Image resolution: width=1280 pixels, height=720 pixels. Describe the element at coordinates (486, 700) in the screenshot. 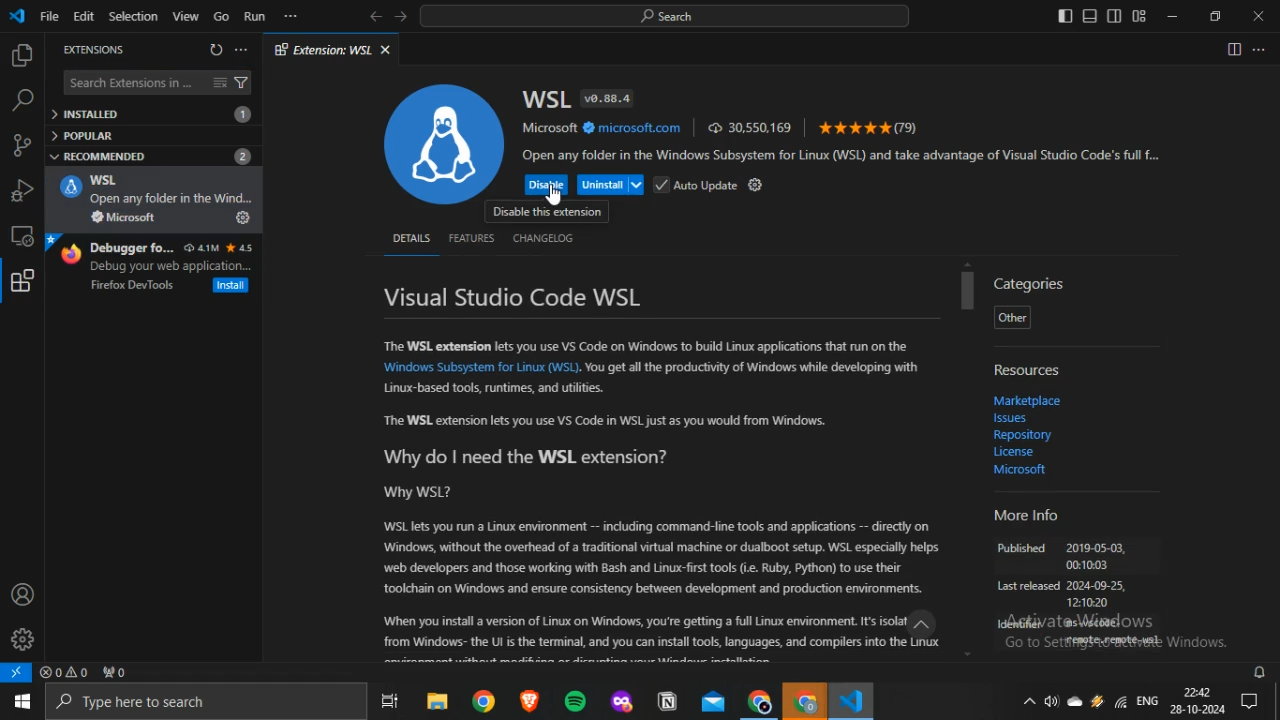

I see `google chrome` at that location.